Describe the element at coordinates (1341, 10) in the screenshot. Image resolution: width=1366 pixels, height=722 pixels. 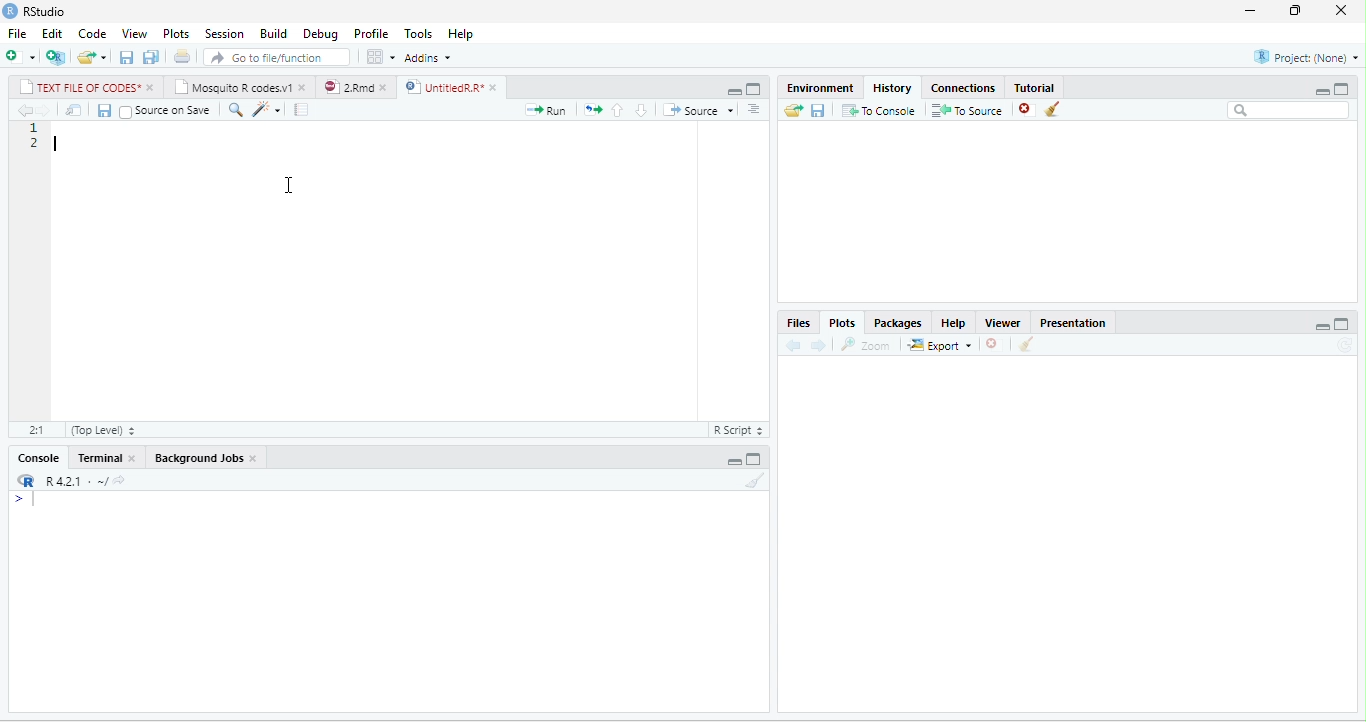
I see `close` at that location.